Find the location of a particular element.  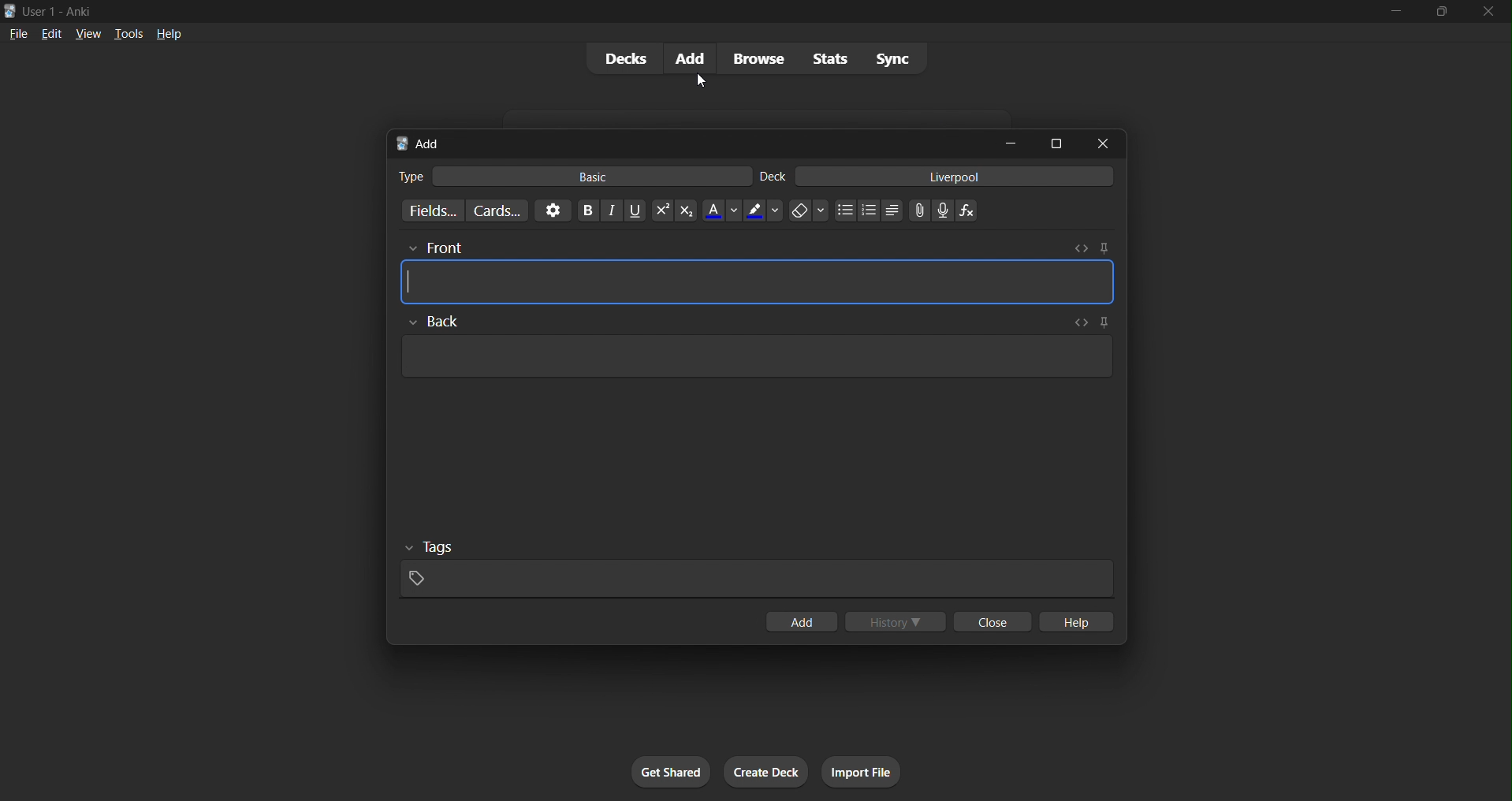

customize card fields is located at coordinates (430, 210).